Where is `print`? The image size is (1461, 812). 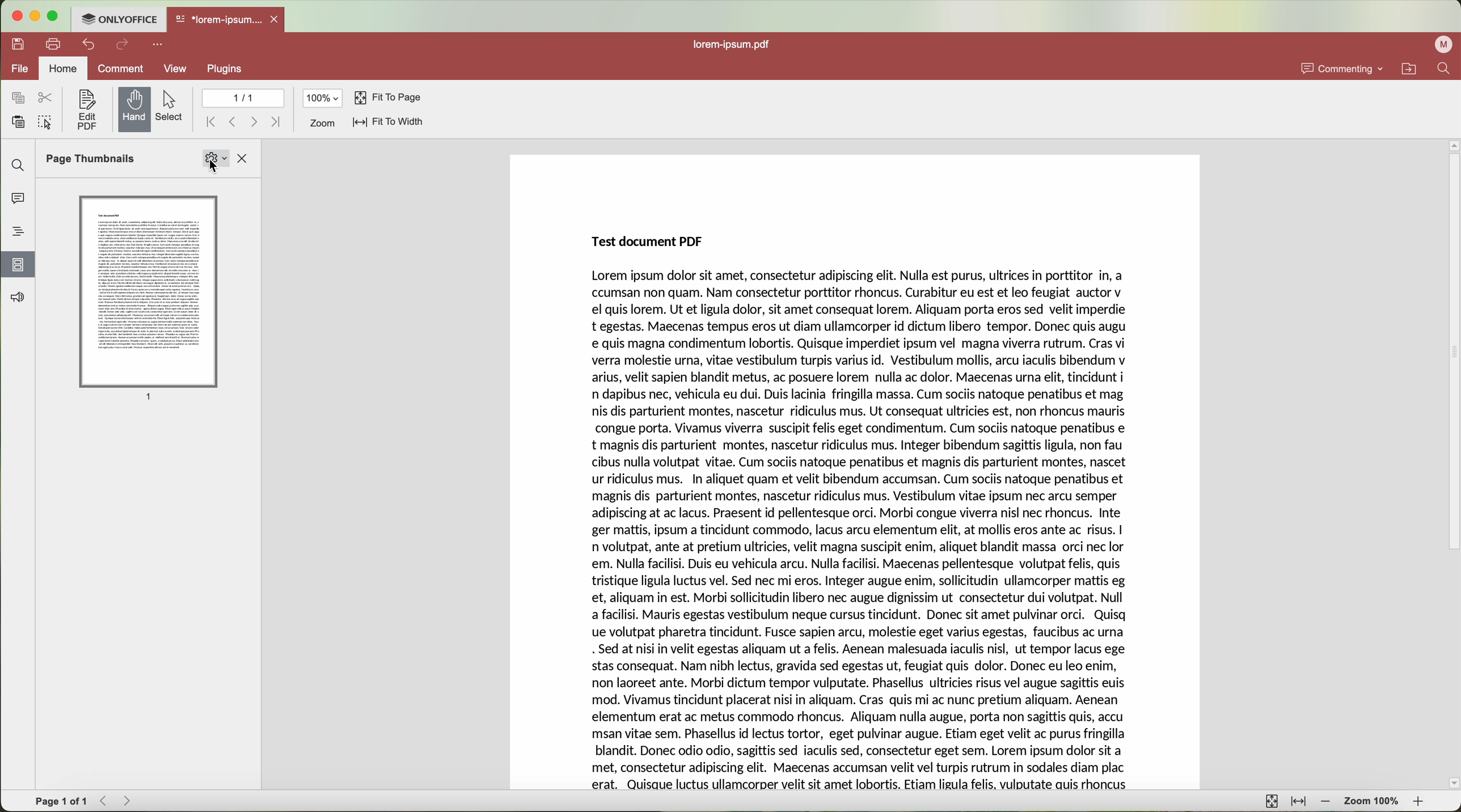
print is located at coordinates (54, 43).